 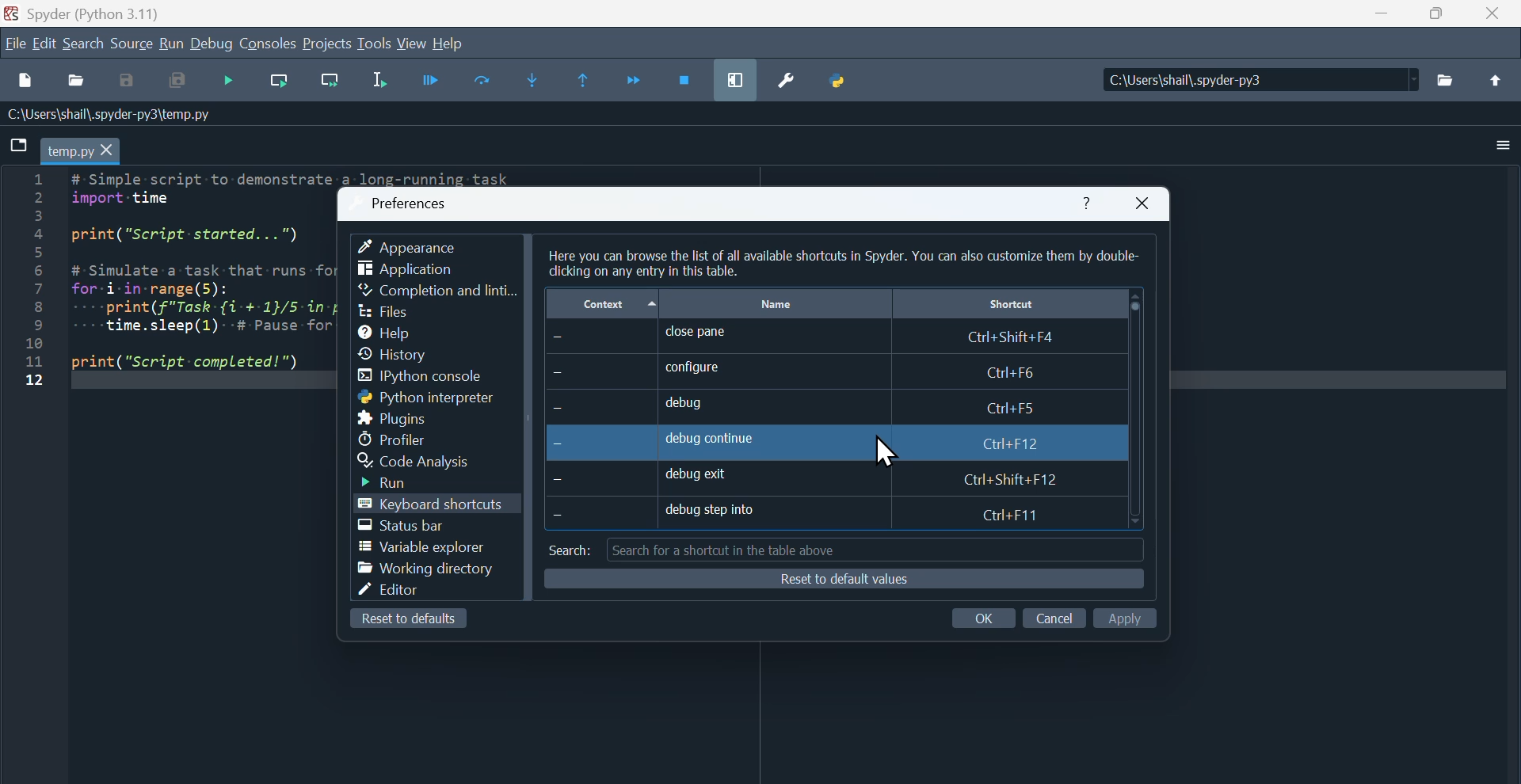 I want to click on Keyboard shortcut, so click(x=432, y=505).